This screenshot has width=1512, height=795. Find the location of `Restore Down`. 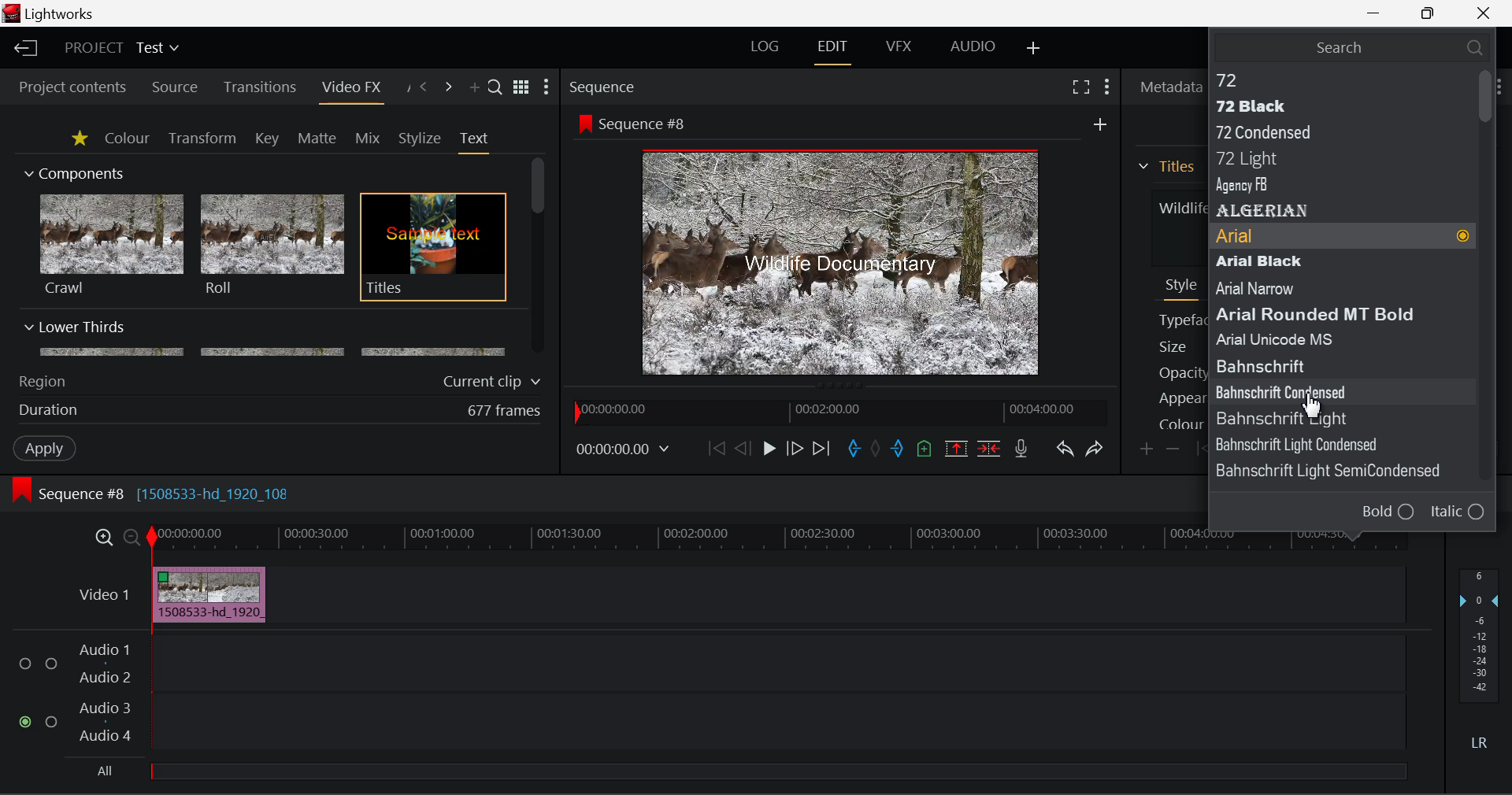

Restore Down is located at coordinates (1375, 11).